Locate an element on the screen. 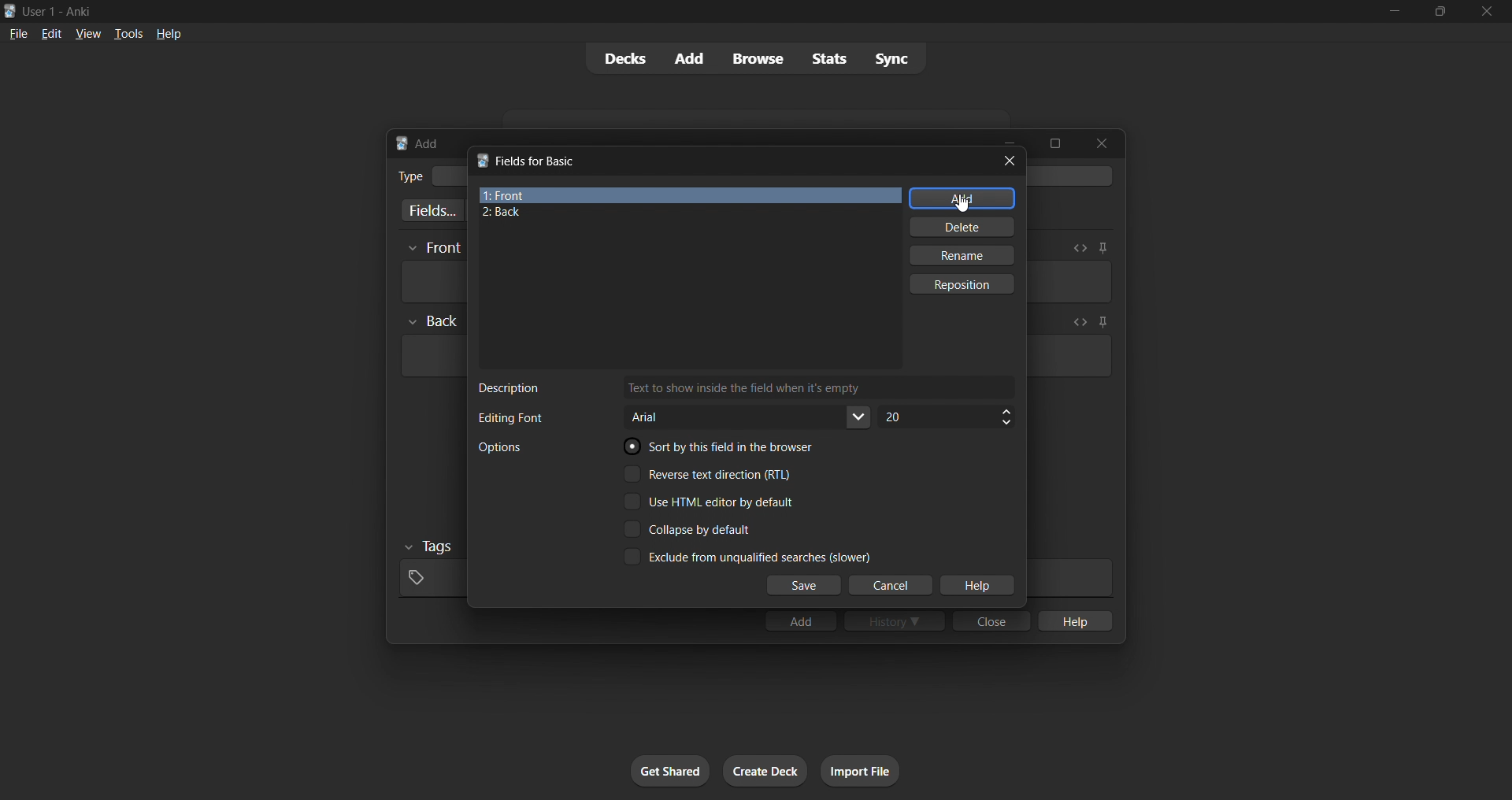  field font size is located at coordinates (946, 417).